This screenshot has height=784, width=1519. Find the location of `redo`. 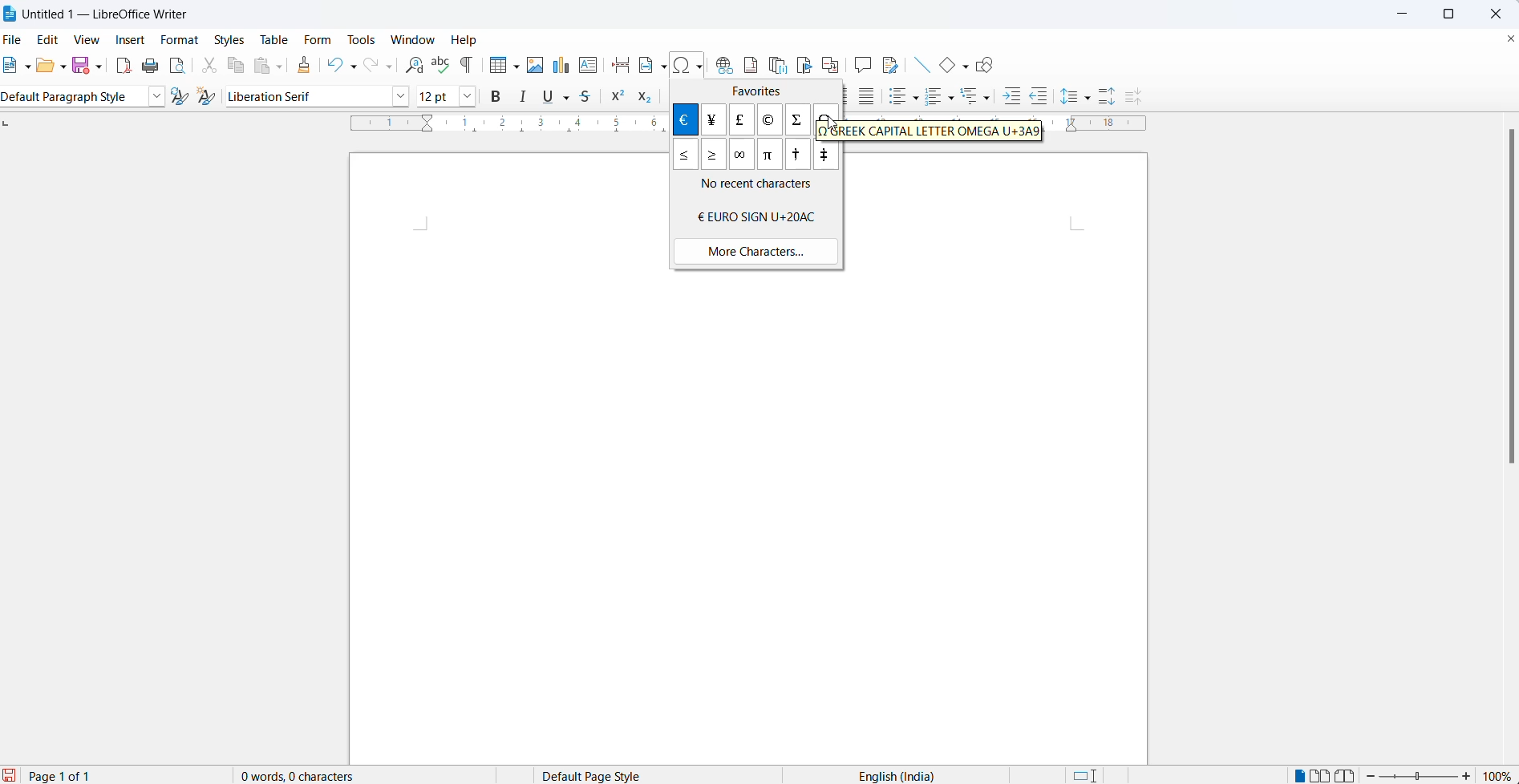

redo is located at coordinates (370, 66).